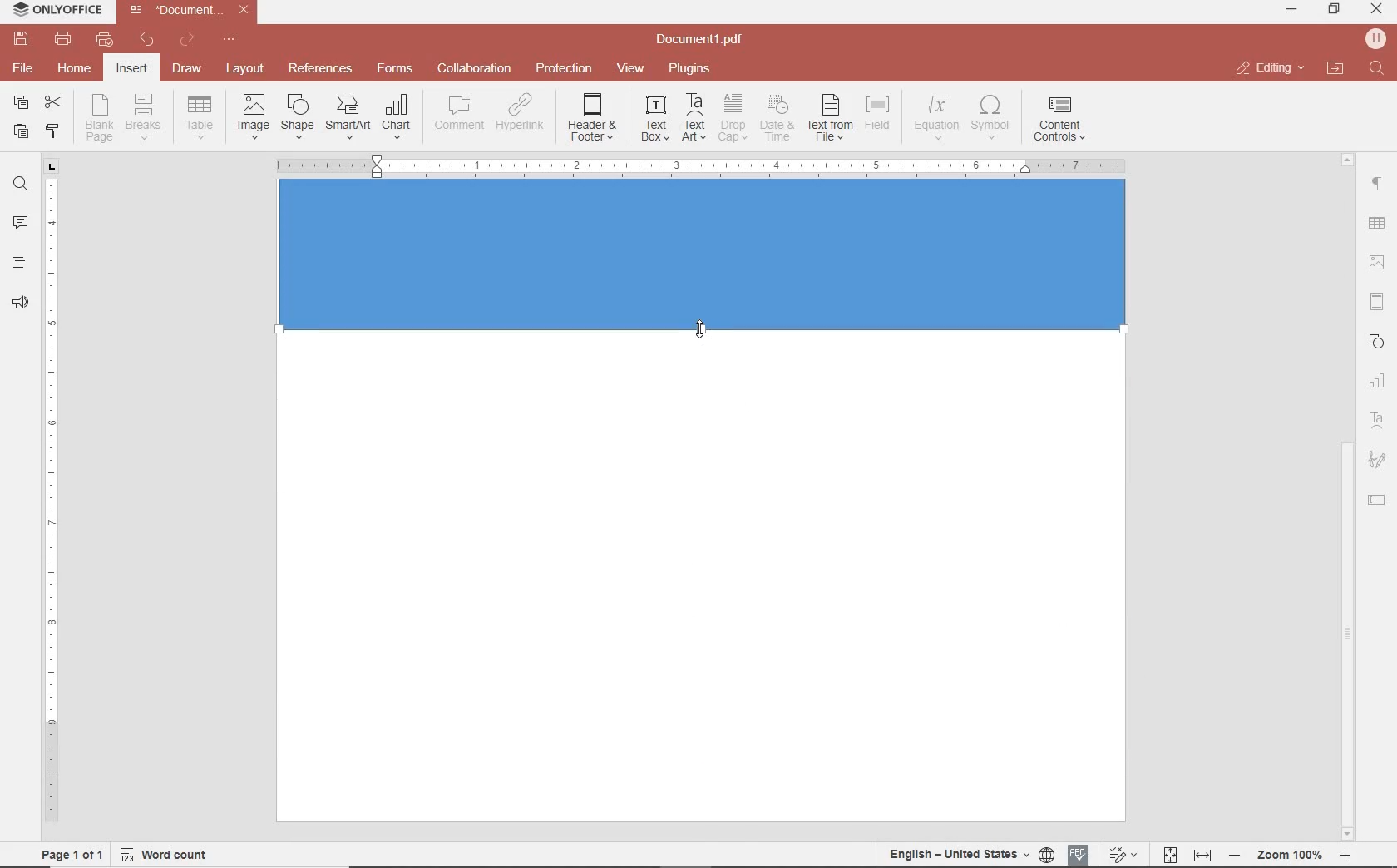 Image resolution: width=1397 pixels, height=868 pixels. Describe the element at coordinates (654, 117) in the screenshot. I see `INSERT TEXT BOX` at that location.